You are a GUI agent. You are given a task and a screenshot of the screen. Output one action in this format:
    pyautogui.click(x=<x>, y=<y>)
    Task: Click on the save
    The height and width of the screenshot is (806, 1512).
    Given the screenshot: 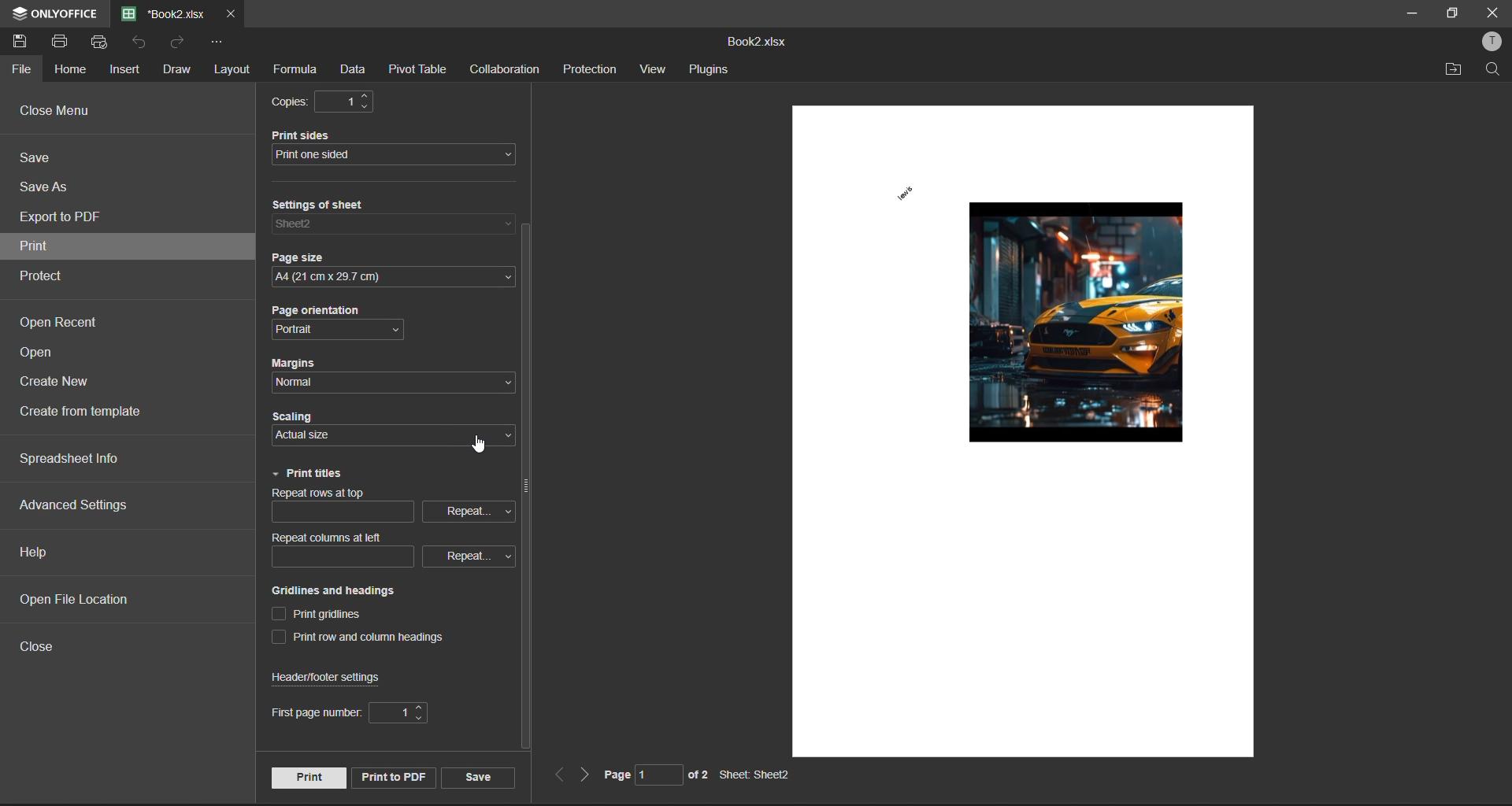 What is the action you would take?
    pyautogui.click(x=479, y=777)
    